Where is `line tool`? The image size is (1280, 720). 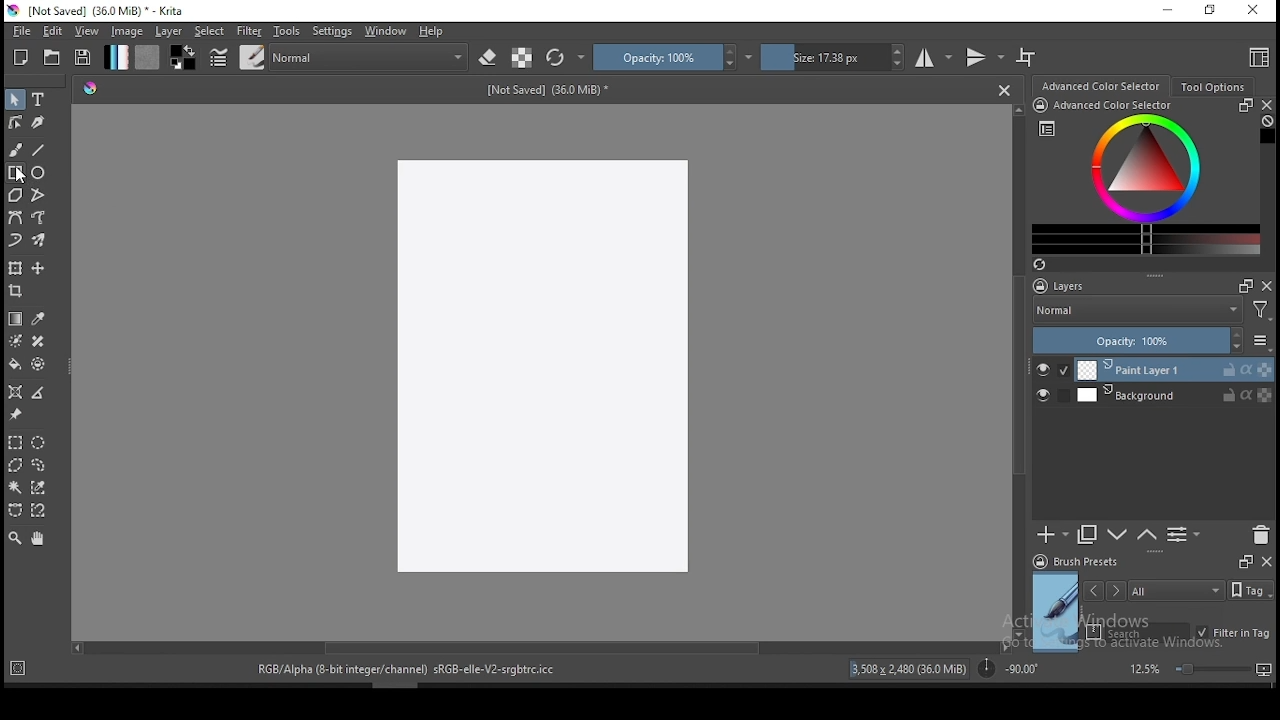 line tool is located at coordinates (39, 150).